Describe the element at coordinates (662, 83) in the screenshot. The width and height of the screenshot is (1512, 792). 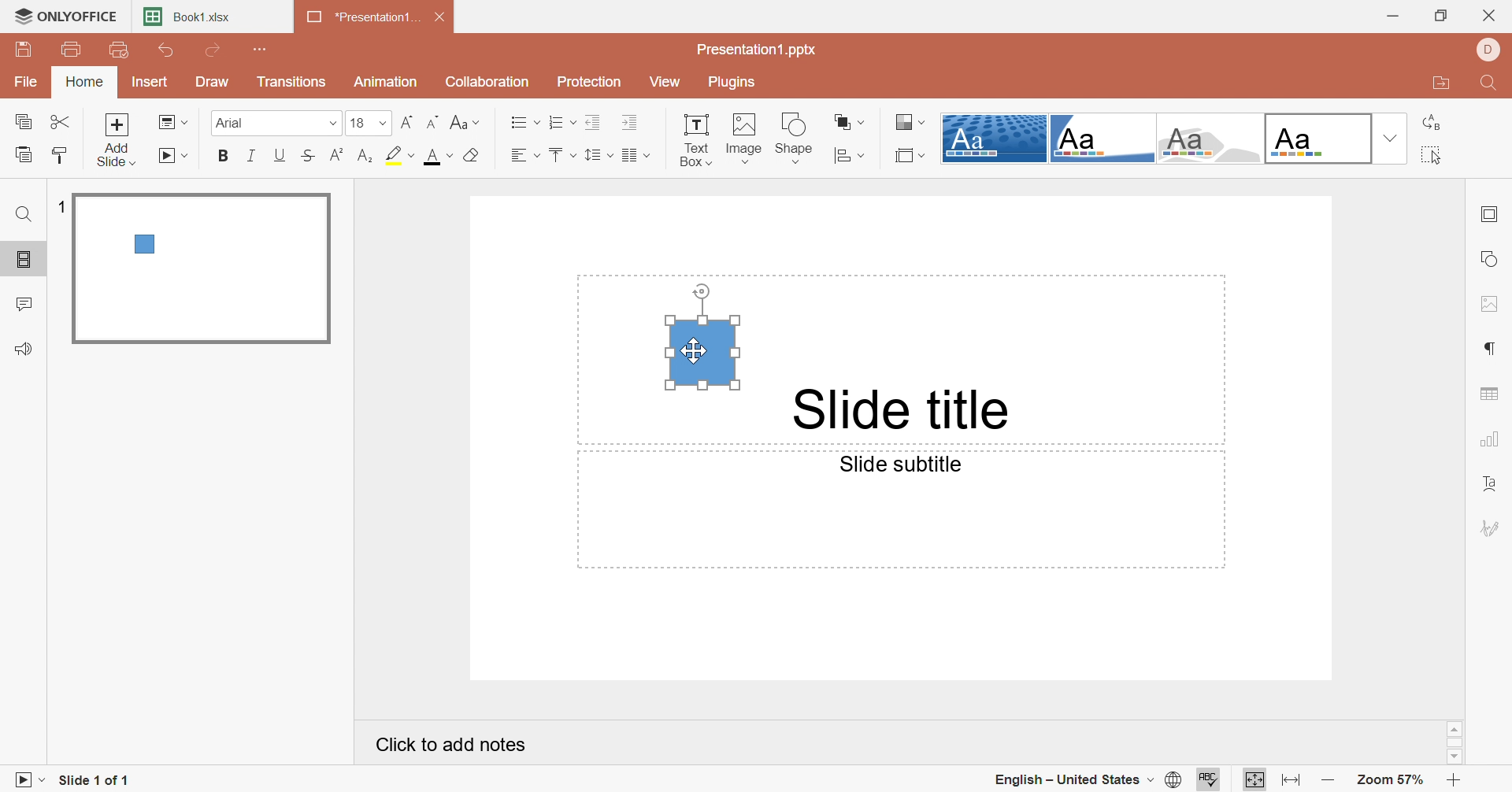
I see `View` at that location.